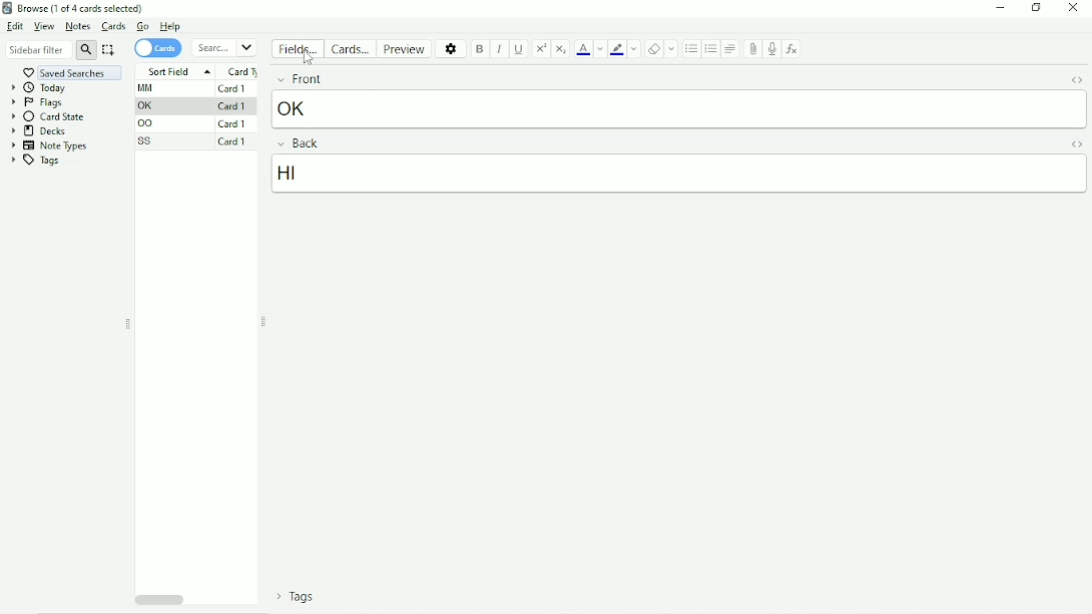 The height and width of the screenshot is (614, 1092). Describe the element at coordinates (149, 88) in the screenshot. I see `MM` at that location.